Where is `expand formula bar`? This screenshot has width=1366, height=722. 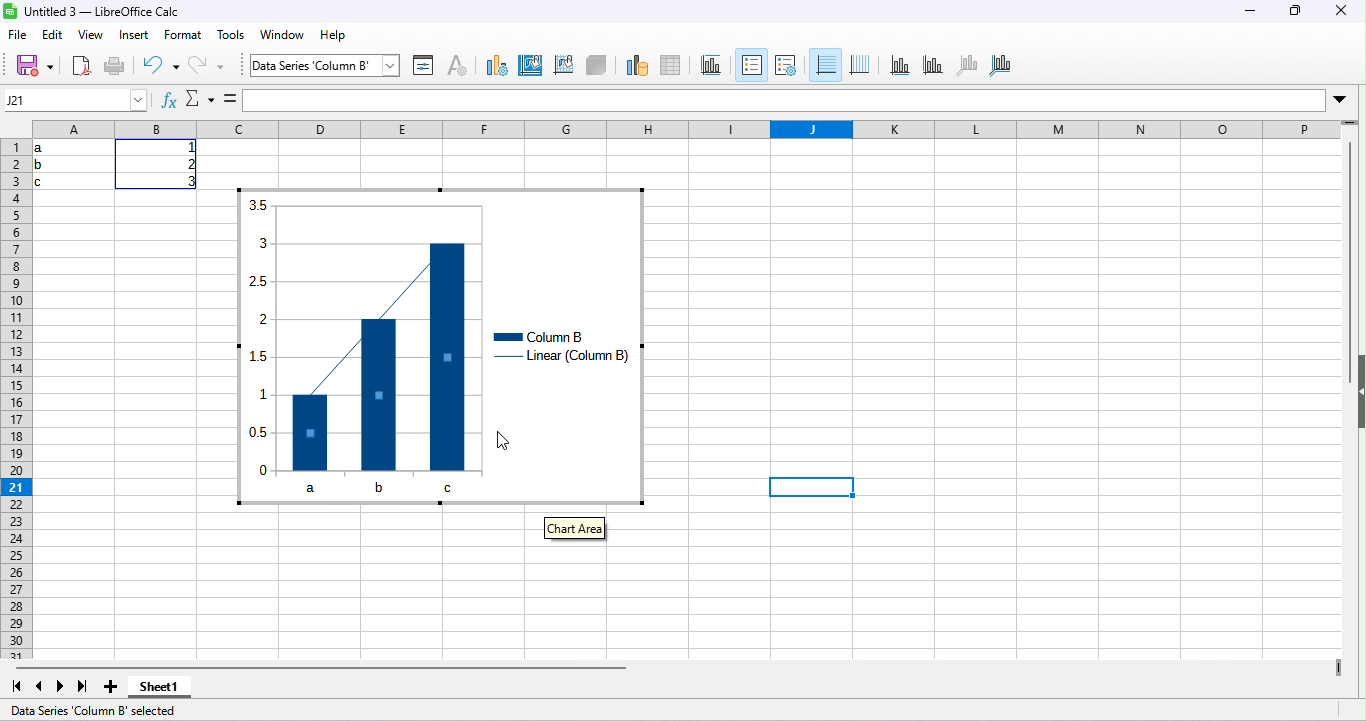 expand formula bar is located at coordinates (1346, 98).